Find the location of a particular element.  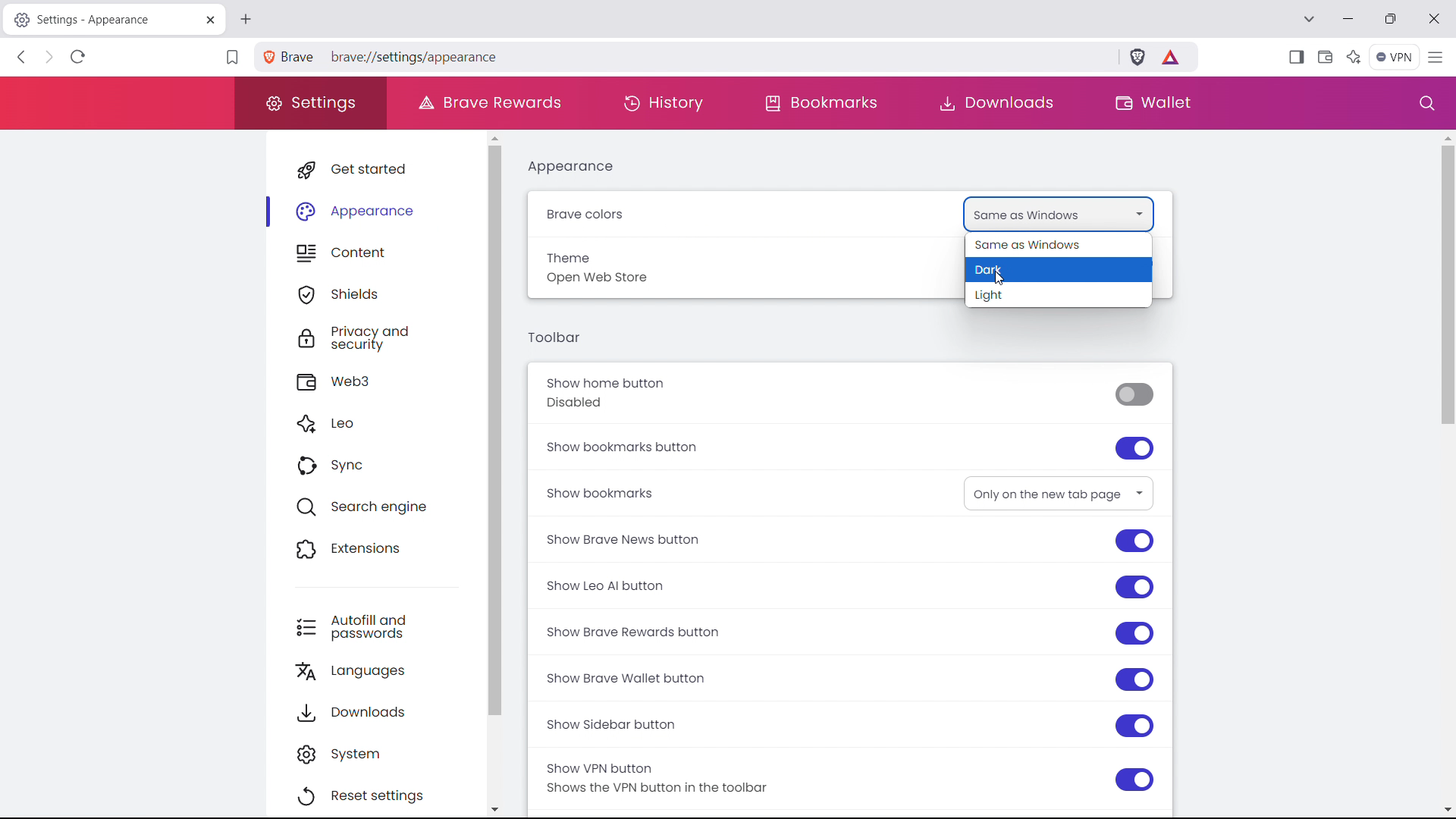

search is located at coordinates (1422, 102).